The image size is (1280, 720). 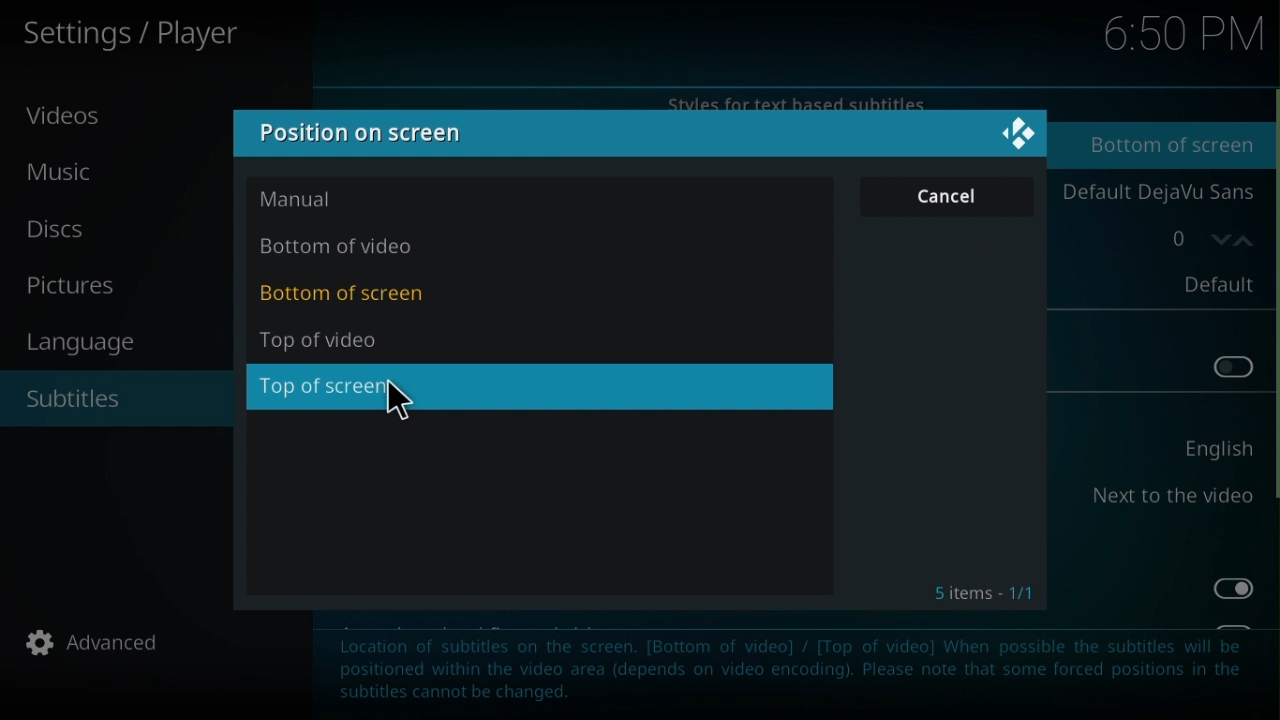 What do you see at coordinates (154, 35) in the screenshot?
I see `Settings/player` at bounding box center [154, 35].